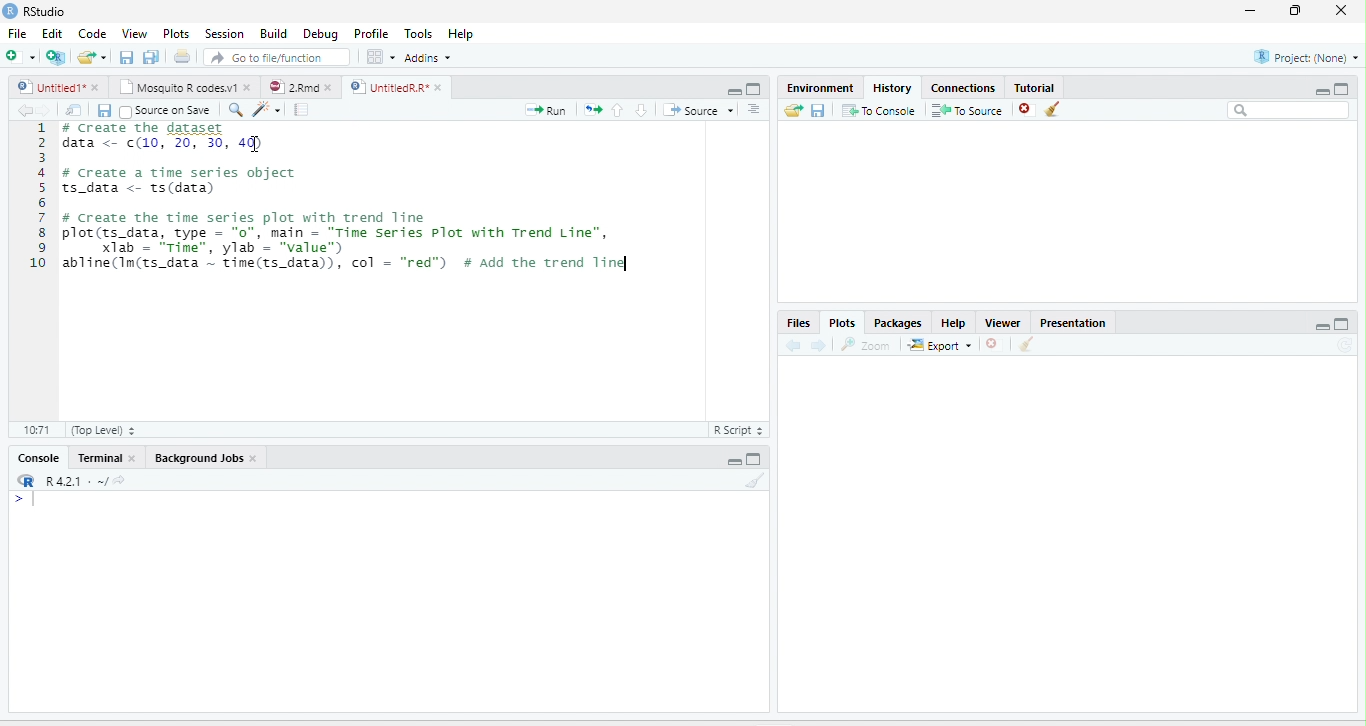 This screenshot has height=726, width=1366. What do you see at coordinates (266, 109) in the screenshot?
I see `Code tools` at bounding box center [266, 109].